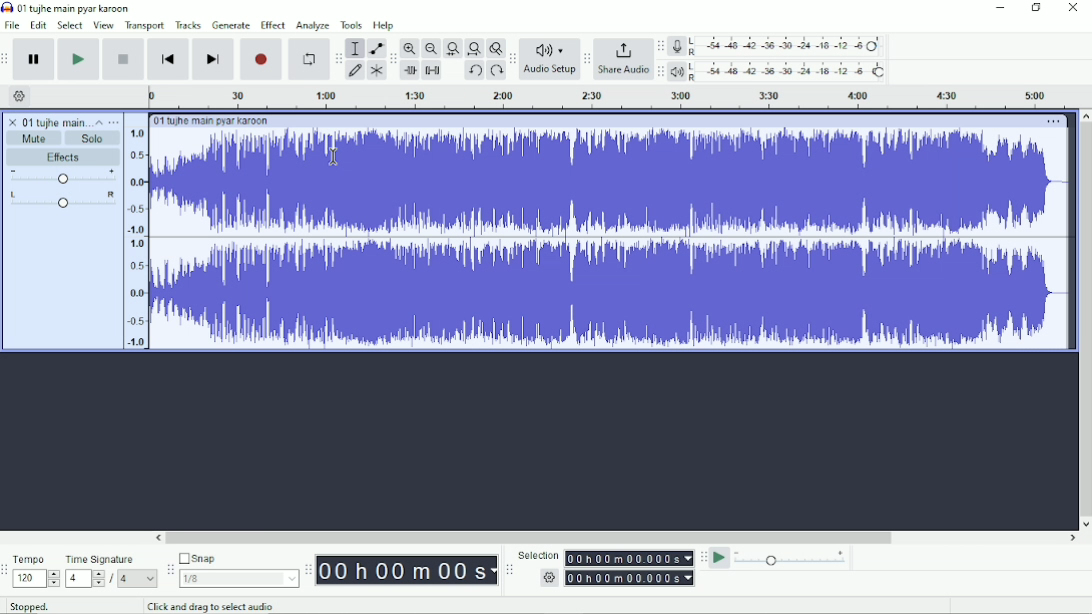  I want to click on View, so click(104, 25).